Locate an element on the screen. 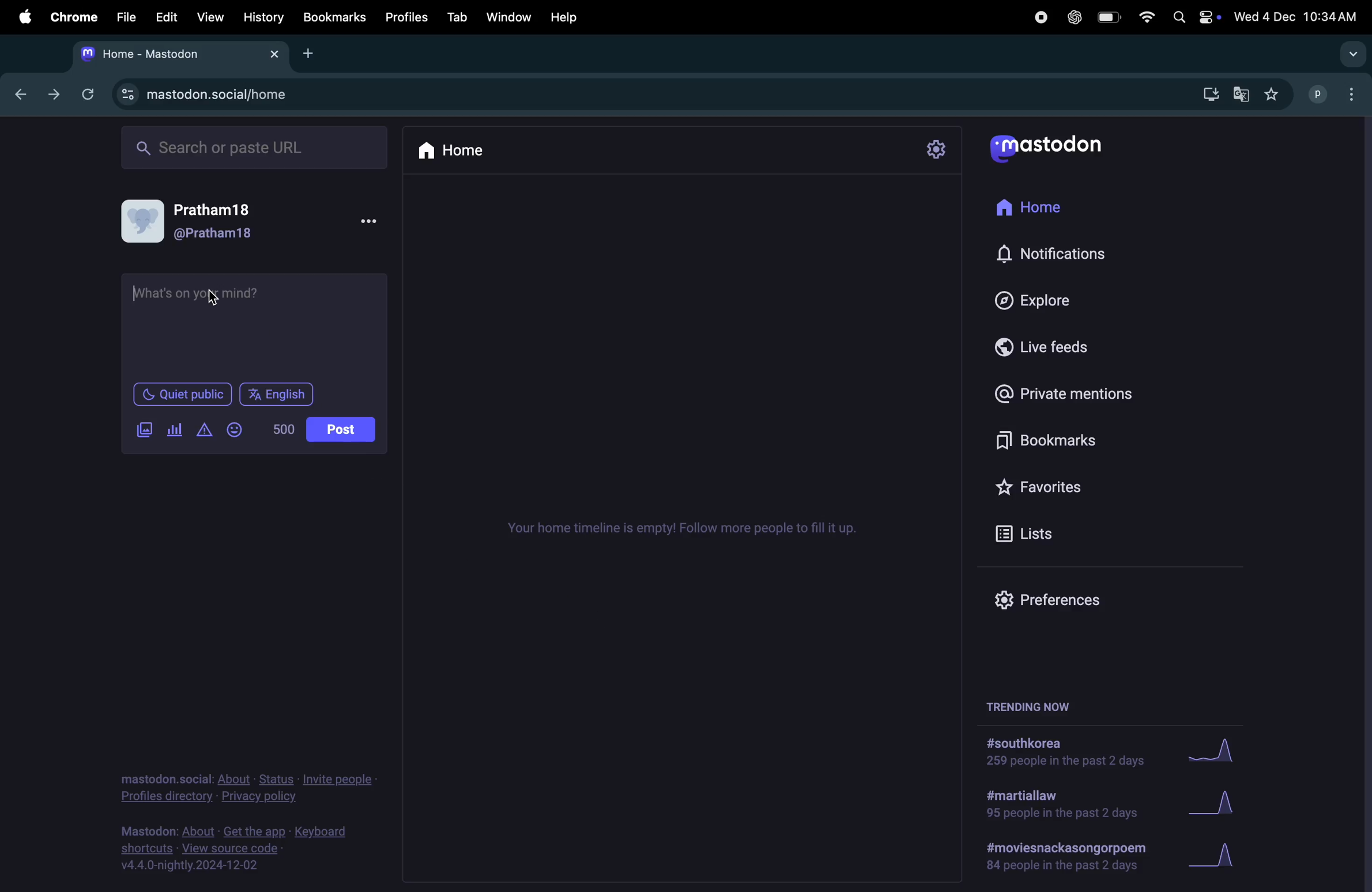 The width and height of the screenshot is (1372, 892). bookmarks is located at coordinates (1039, 439).